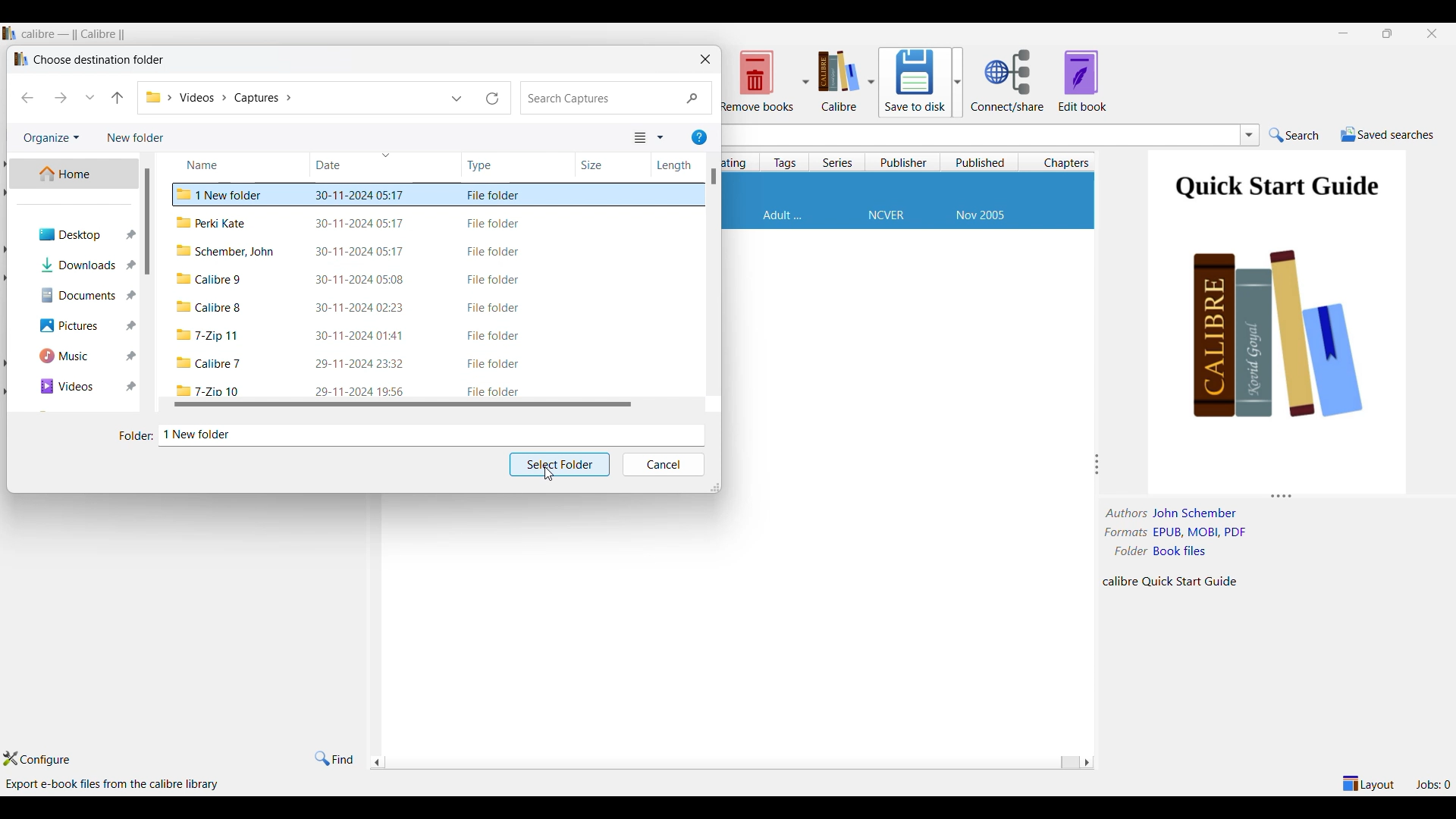 The width and height of the screenshot is (1456, 819). Describe the element at coordinates (211, 337) in the screenshot. I see `folder` at that location.